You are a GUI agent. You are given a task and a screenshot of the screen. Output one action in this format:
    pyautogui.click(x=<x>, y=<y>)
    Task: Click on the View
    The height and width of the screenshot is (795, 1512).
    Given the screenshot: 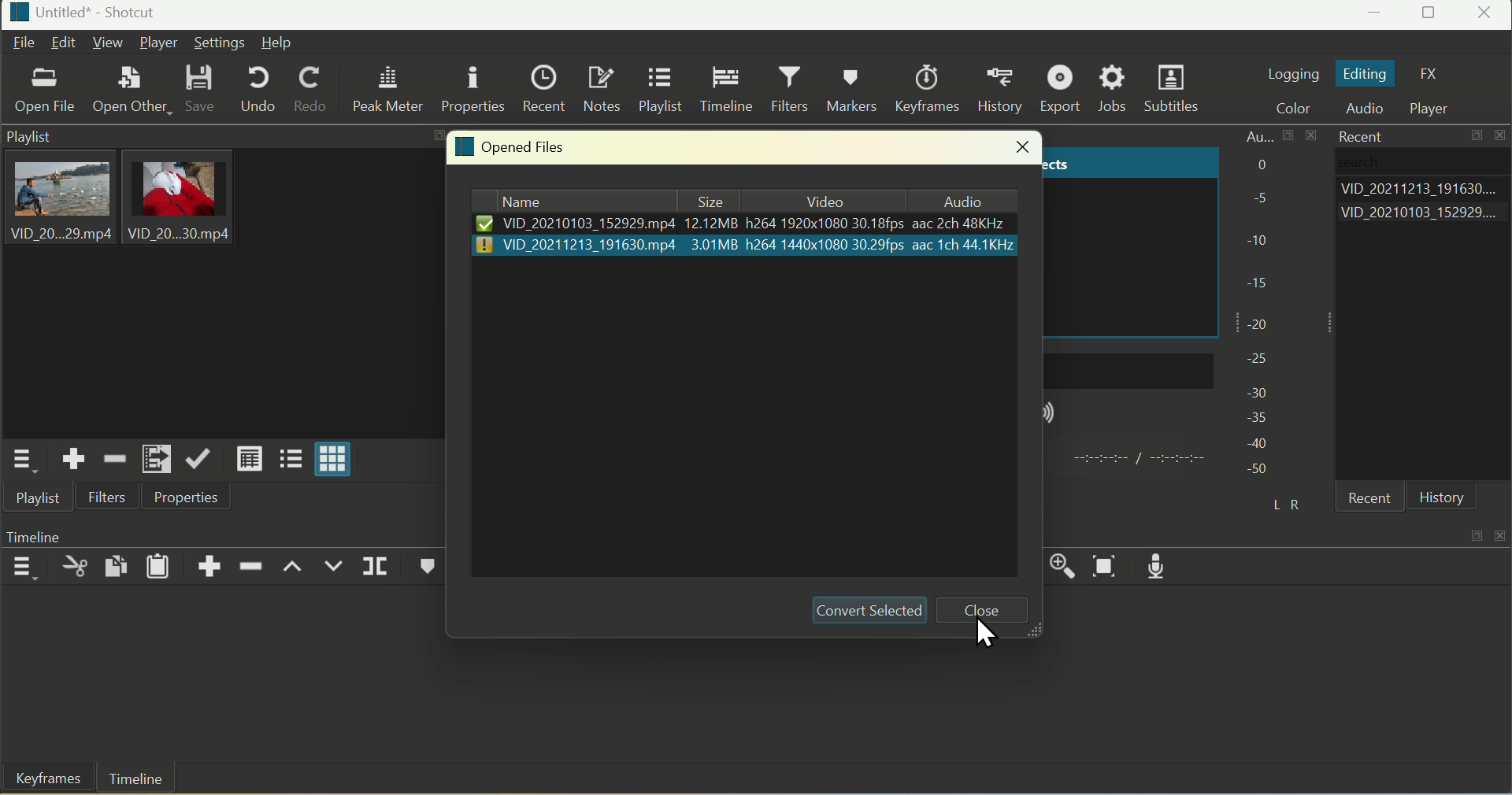 What is the action you would take?
    pyautogui.click(x=106, y=42)
    